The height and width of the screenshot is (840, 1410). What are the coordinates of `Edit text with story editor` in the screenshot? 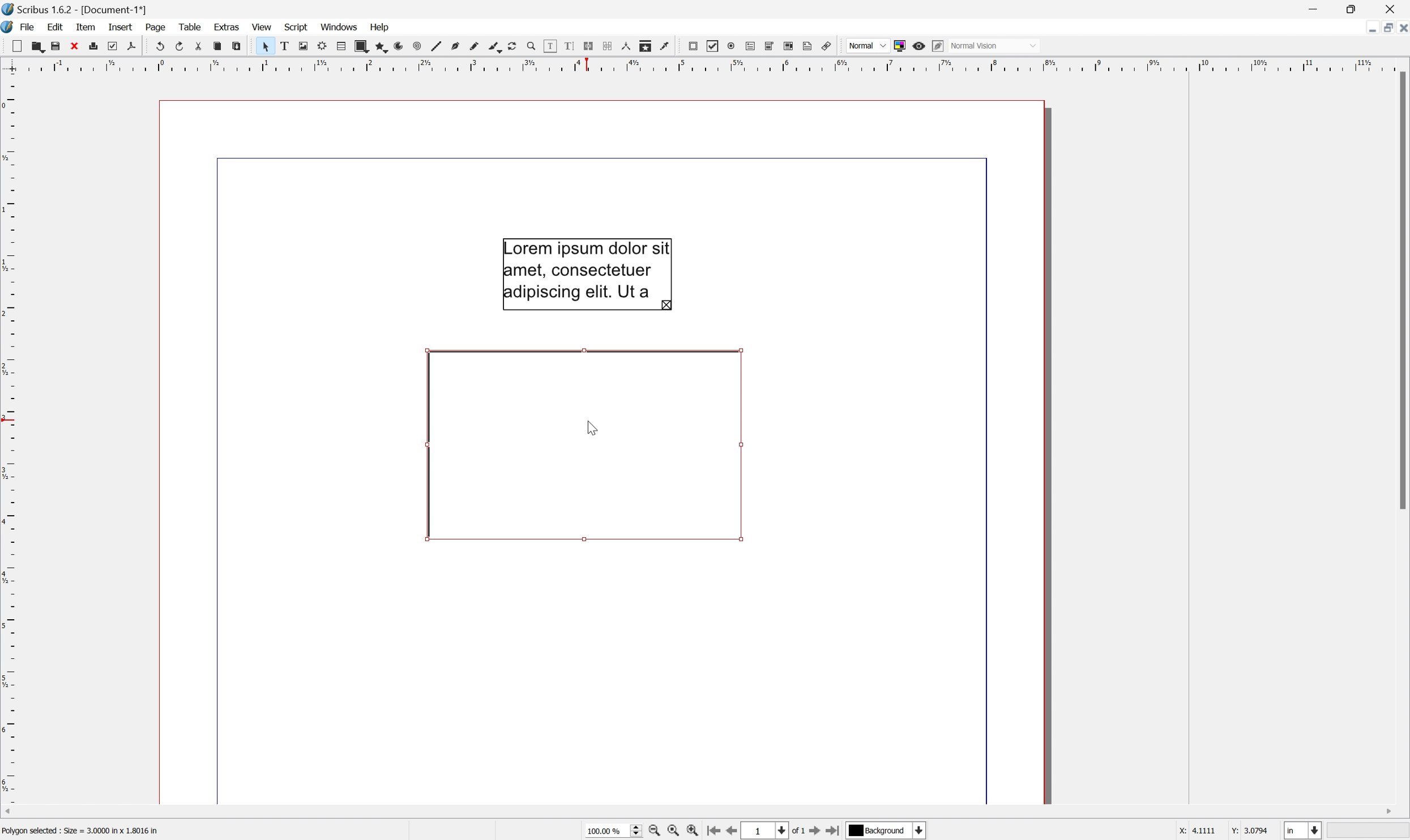 It's located at (567, 45).